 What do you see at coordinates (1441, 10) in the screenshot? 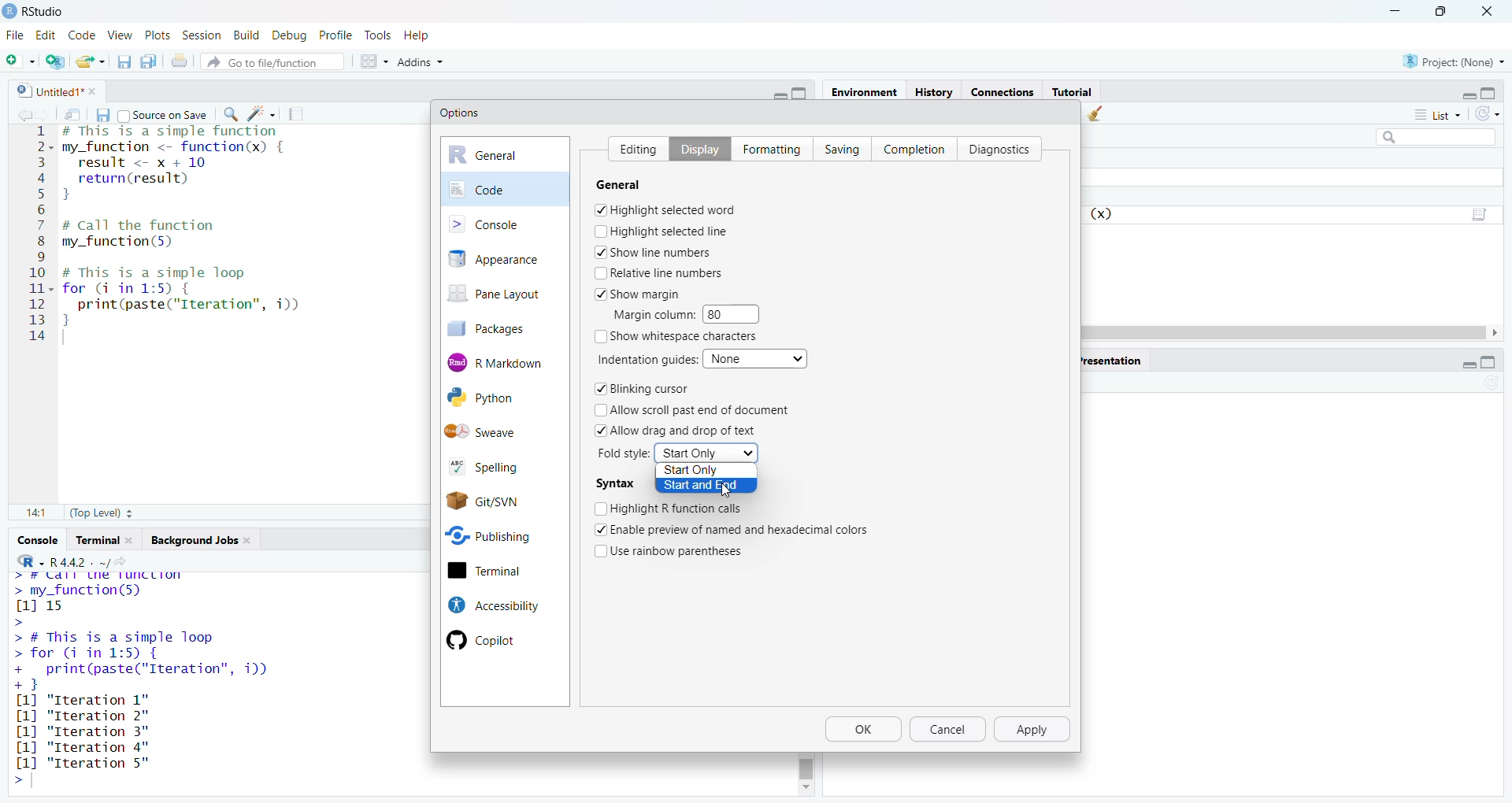
I see `maximize` at bounding box center [1441, 10].